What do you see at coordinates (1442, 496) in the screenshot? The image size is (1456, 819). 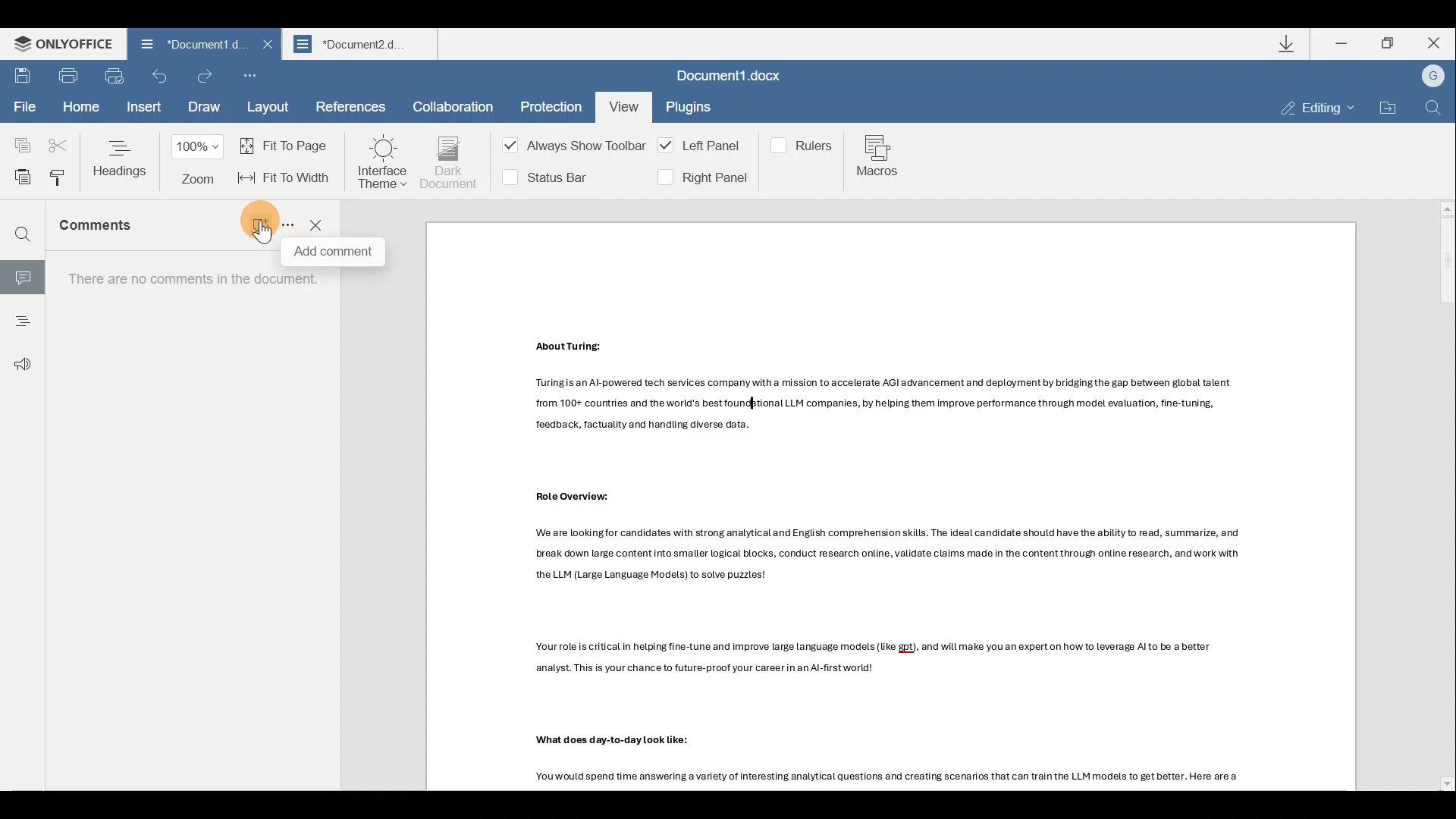 I see `Scroll bar` at bounding box center [1442, 496].